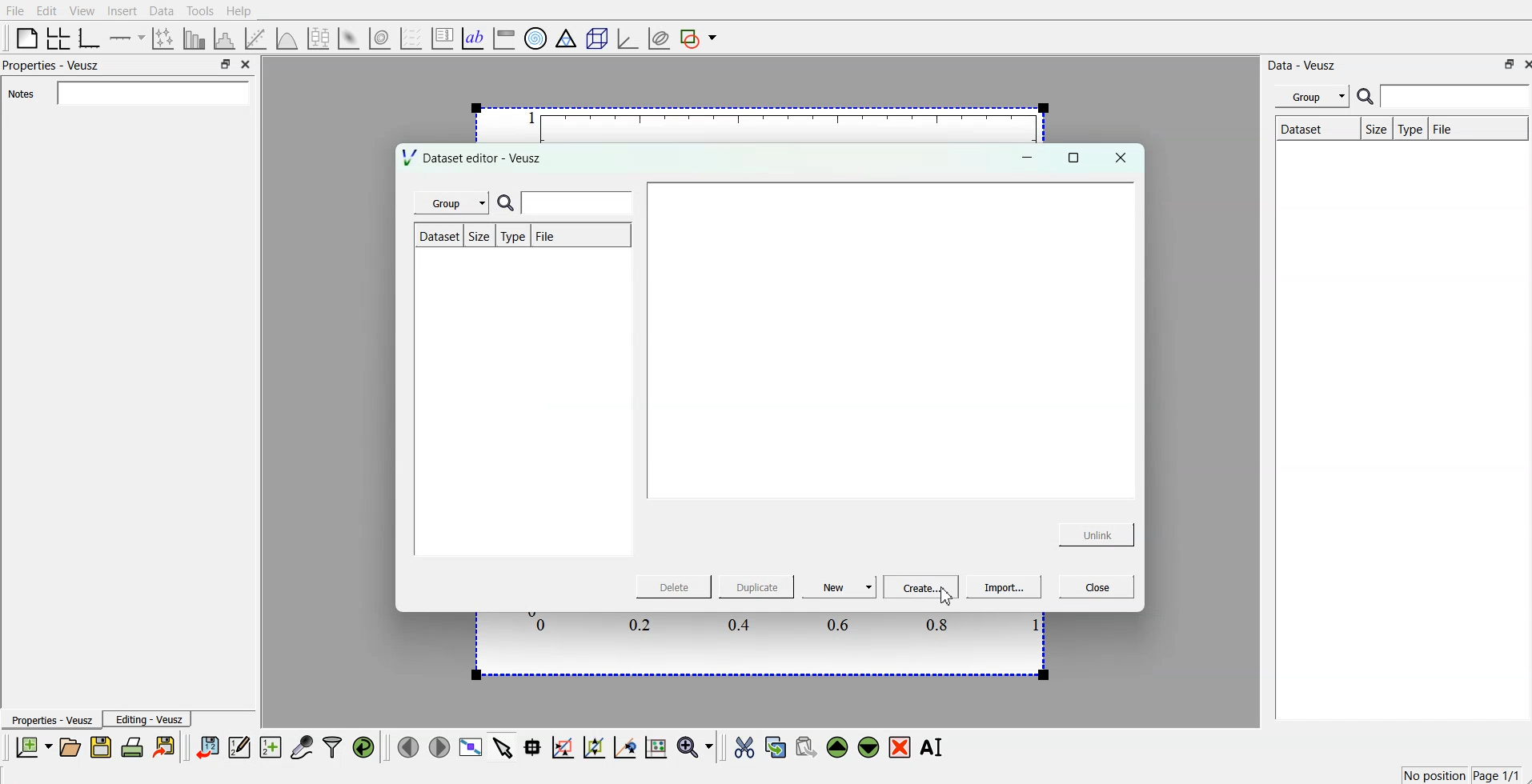 Image resolution: width=1532 pixels, height=784 pixels. What do you see at coordinates (151, 92) in the screenshot?
I see `Notes field` at bounding box center [151, 92].